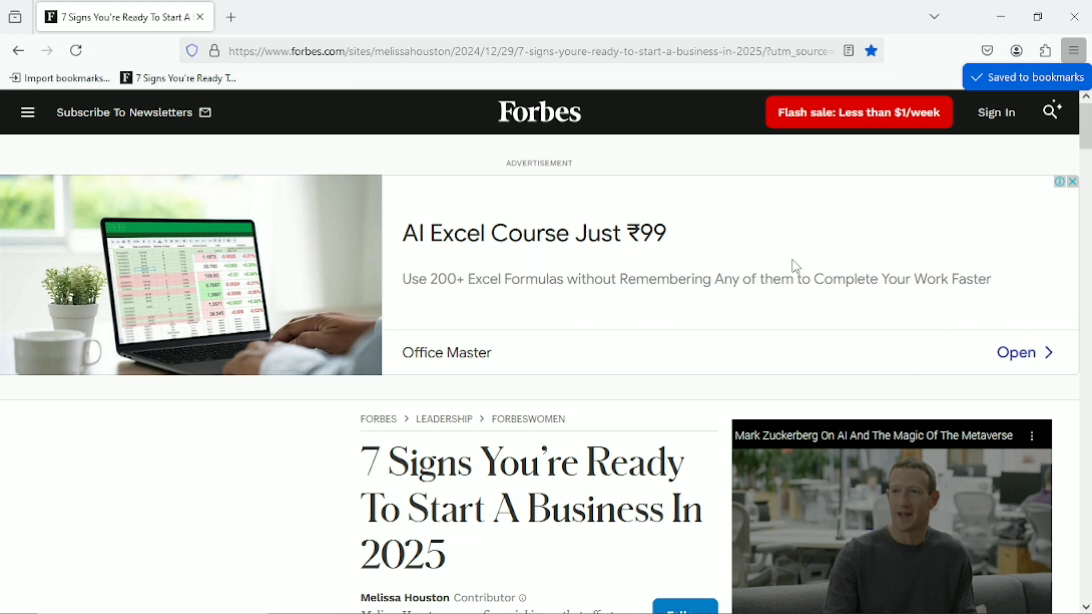  What do you see at coordinates (1076, 16) in the screenshot?
I see `Close` at bounding box center [1076, 16].